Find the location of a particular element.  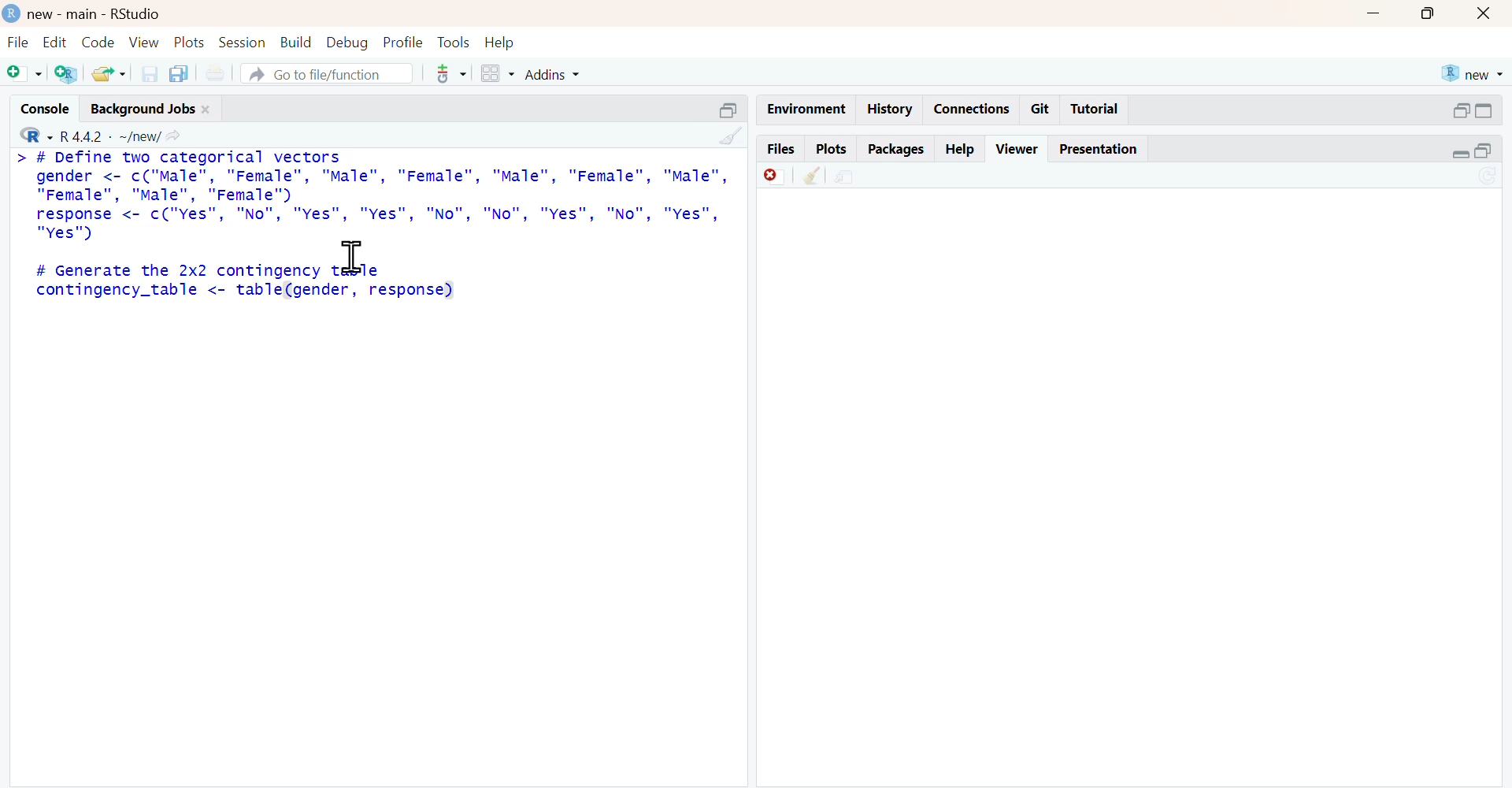

# Generate the 2x2 contingency table contingency_table <- table(gender, response) is located at coordinates (248, 282).